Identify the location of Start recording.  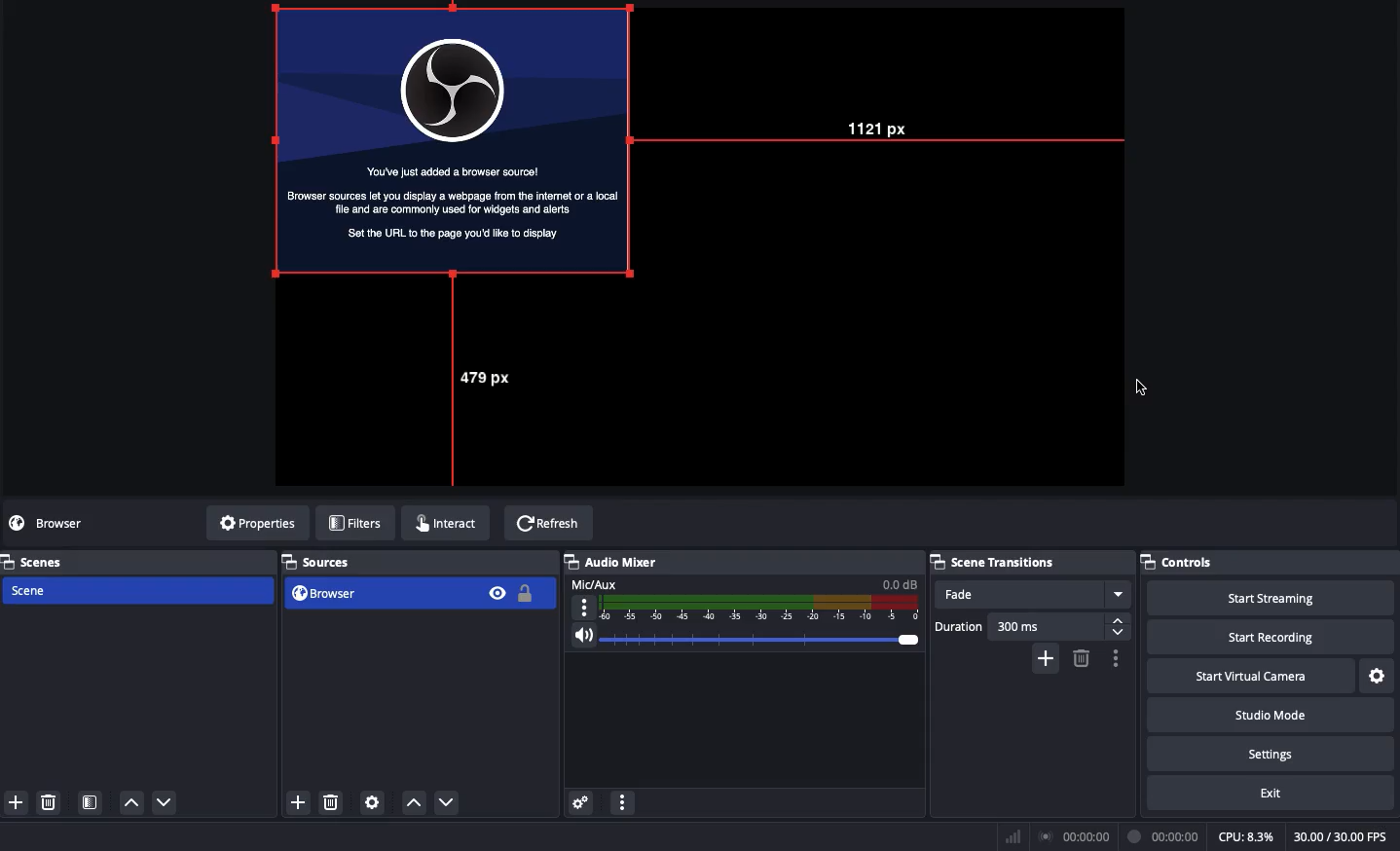
(1275, 631).